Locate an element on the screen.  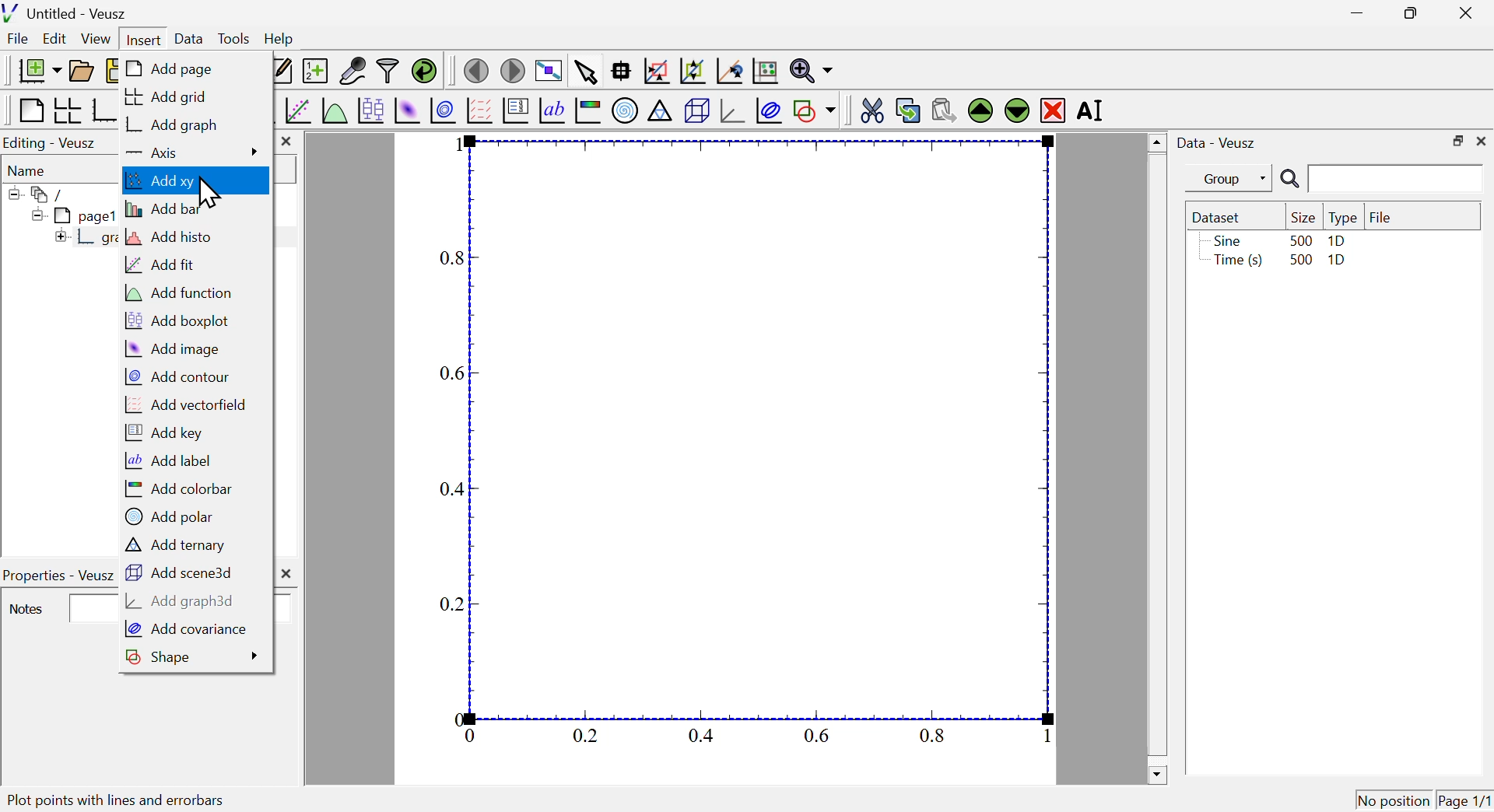
time(s) is located at coordinates (1235, 261).